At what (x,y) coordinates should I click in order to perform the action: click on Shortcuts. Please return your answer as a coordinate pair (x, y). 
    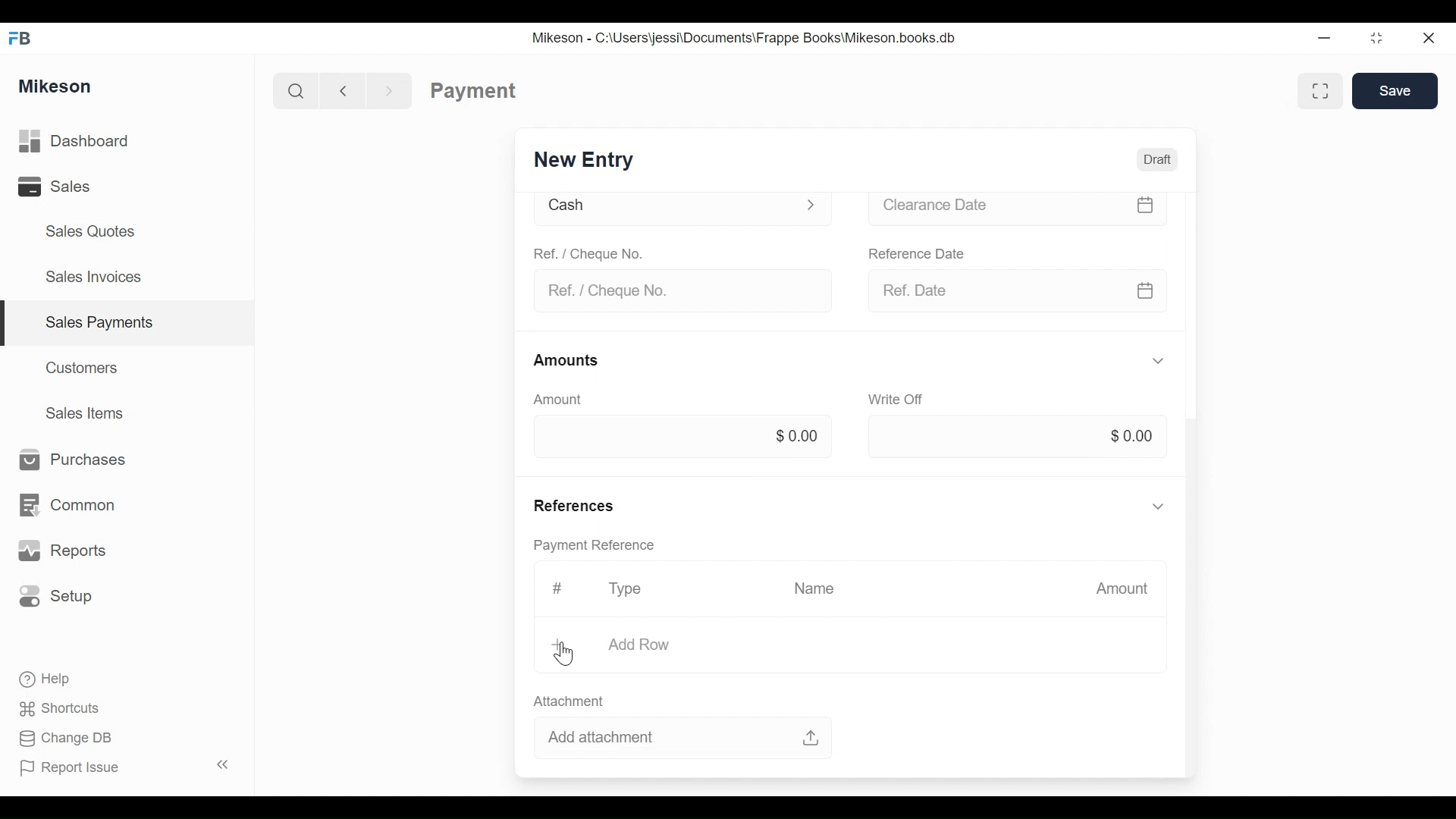
    Looking at the image, I should click on (66, 704).